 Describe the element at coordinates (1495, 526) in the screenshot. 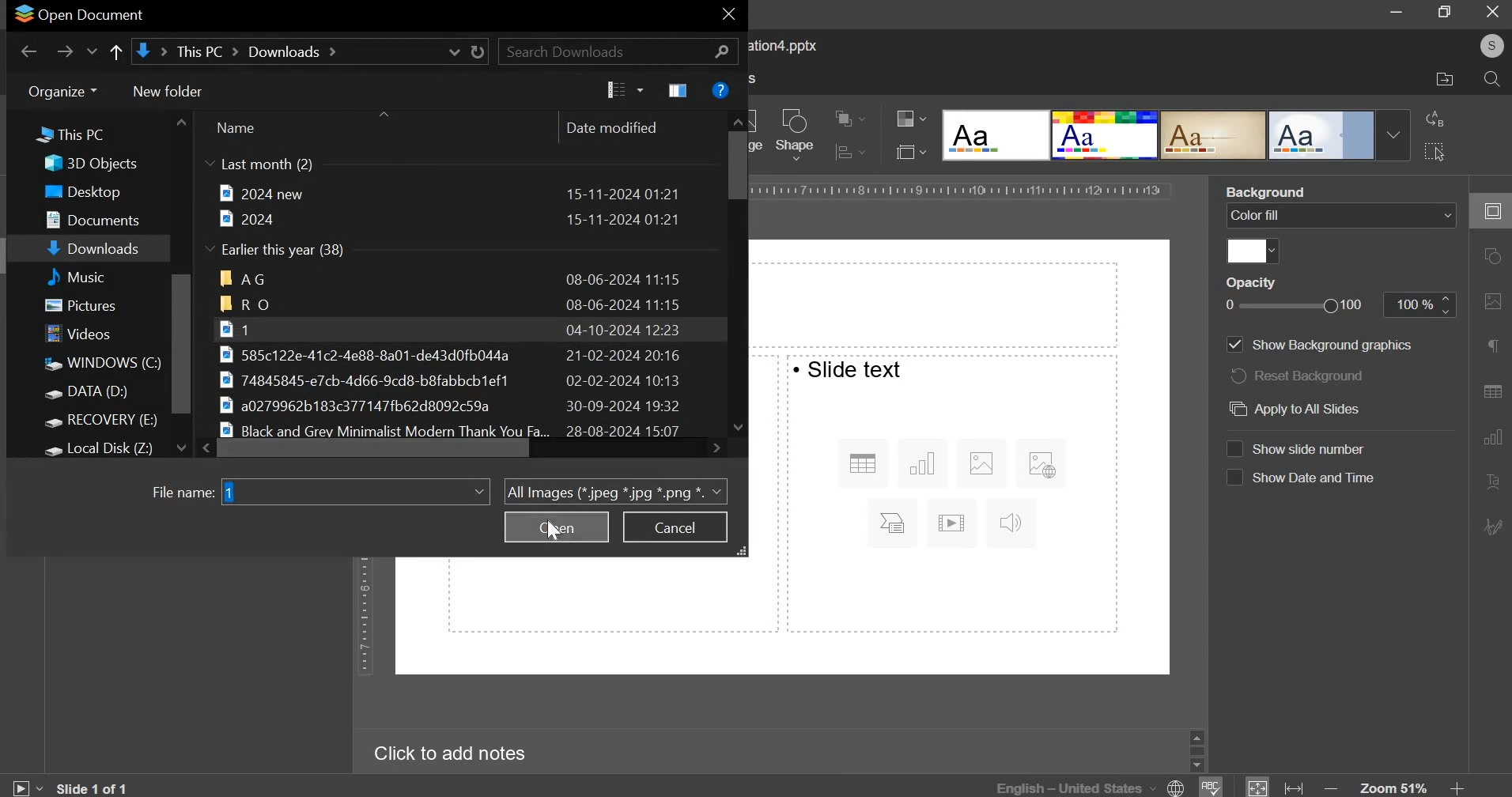

I see `signature` at that location.